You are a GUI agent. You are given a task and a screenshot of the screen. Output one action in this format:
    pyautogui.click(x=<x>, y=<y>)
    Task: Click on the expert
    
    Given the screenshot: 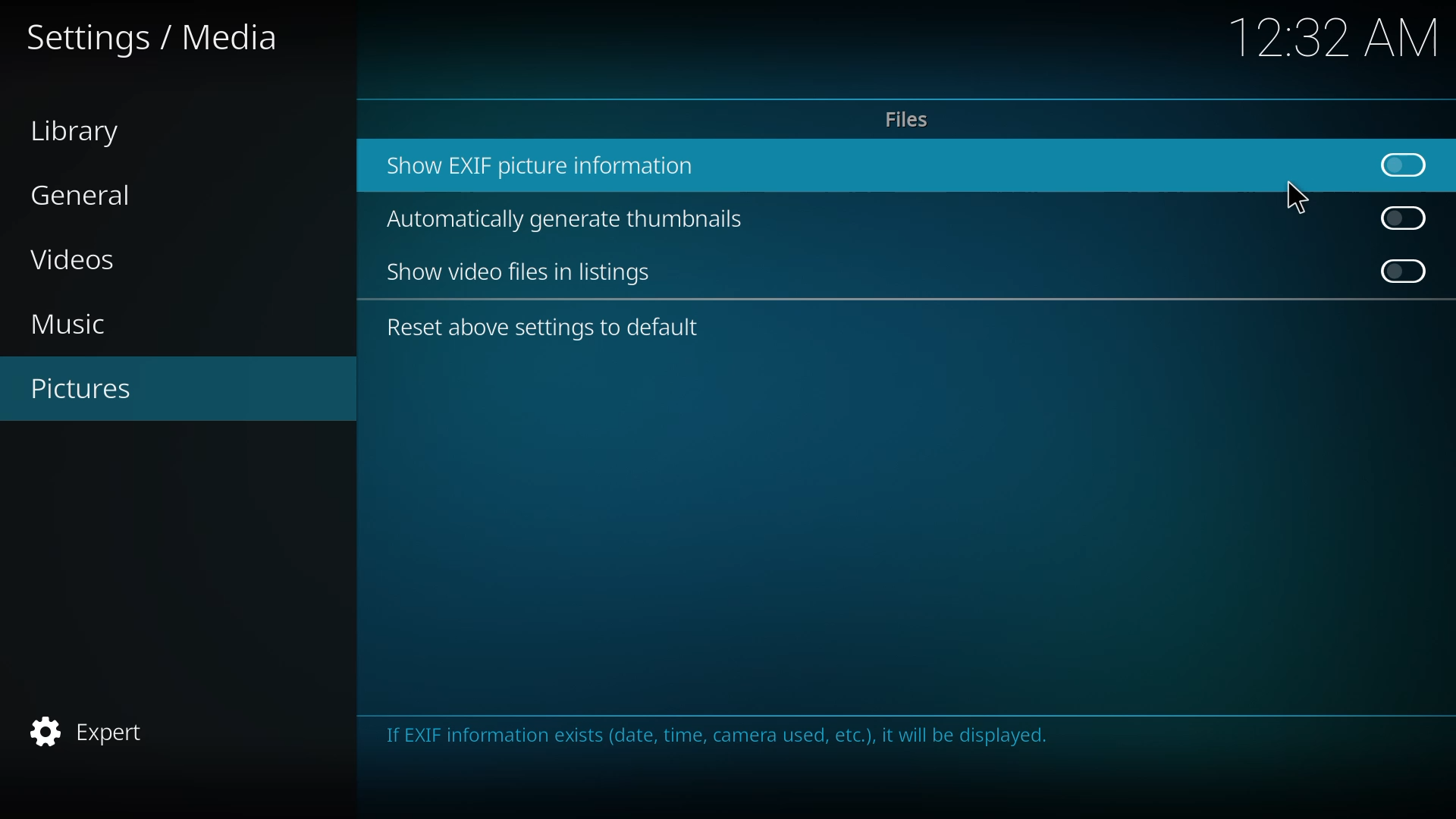 What is the action you would take?
    pyautogui.click(x=101, y=729)
    